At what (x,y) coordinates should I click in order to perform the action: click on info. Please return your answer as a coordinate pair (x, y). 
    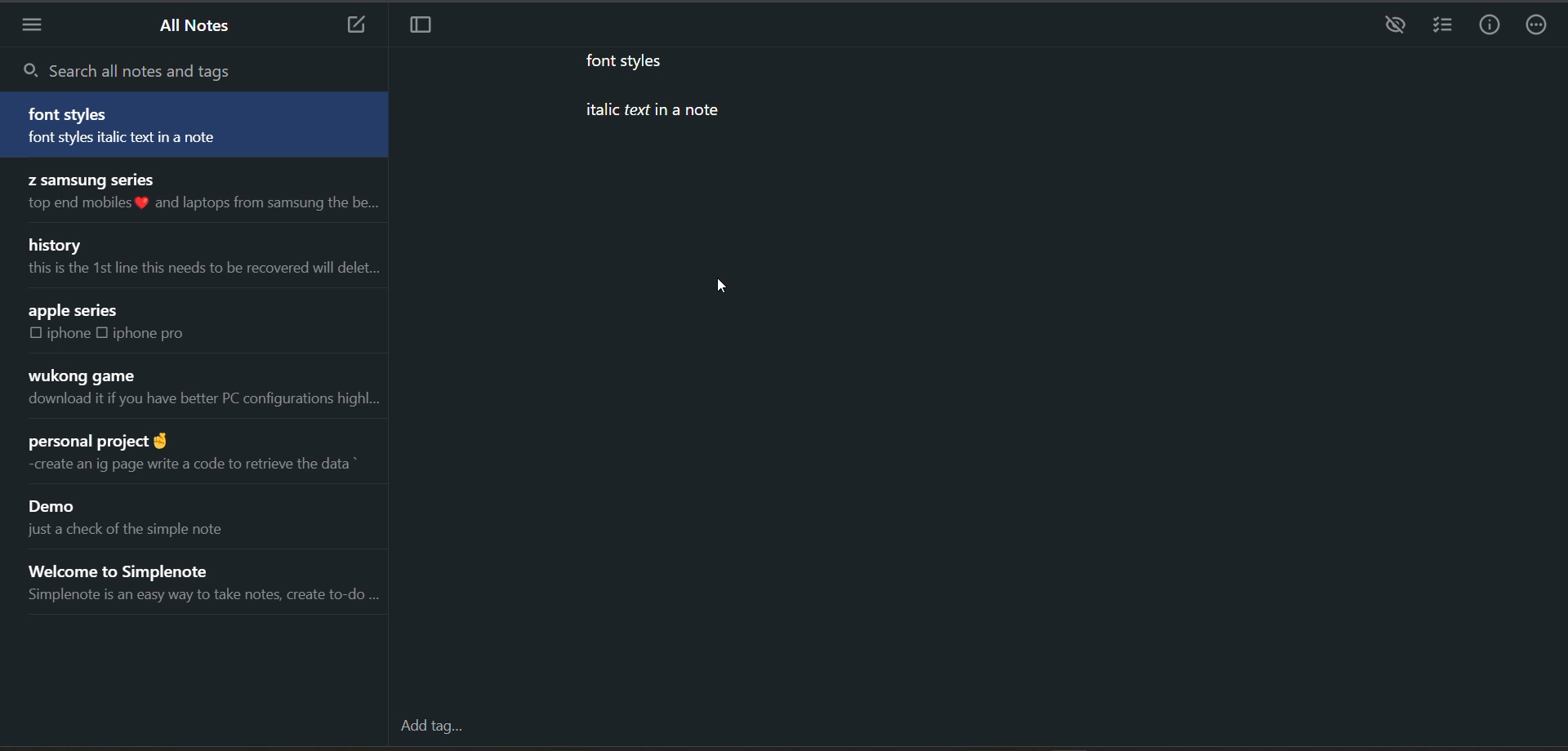
    Looking at the image, I should click on (1493, 23).